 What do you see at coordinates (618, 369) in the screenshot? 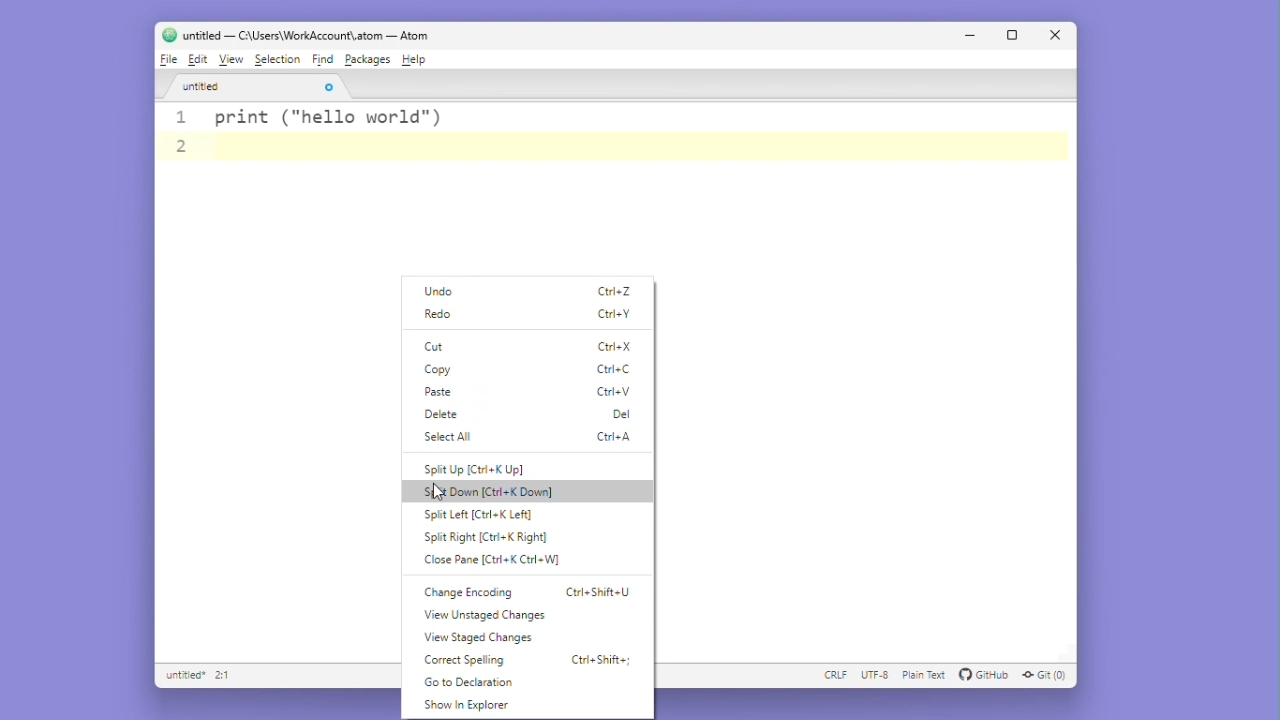
I see `ctrl+c` at bounding box center [618, 369].